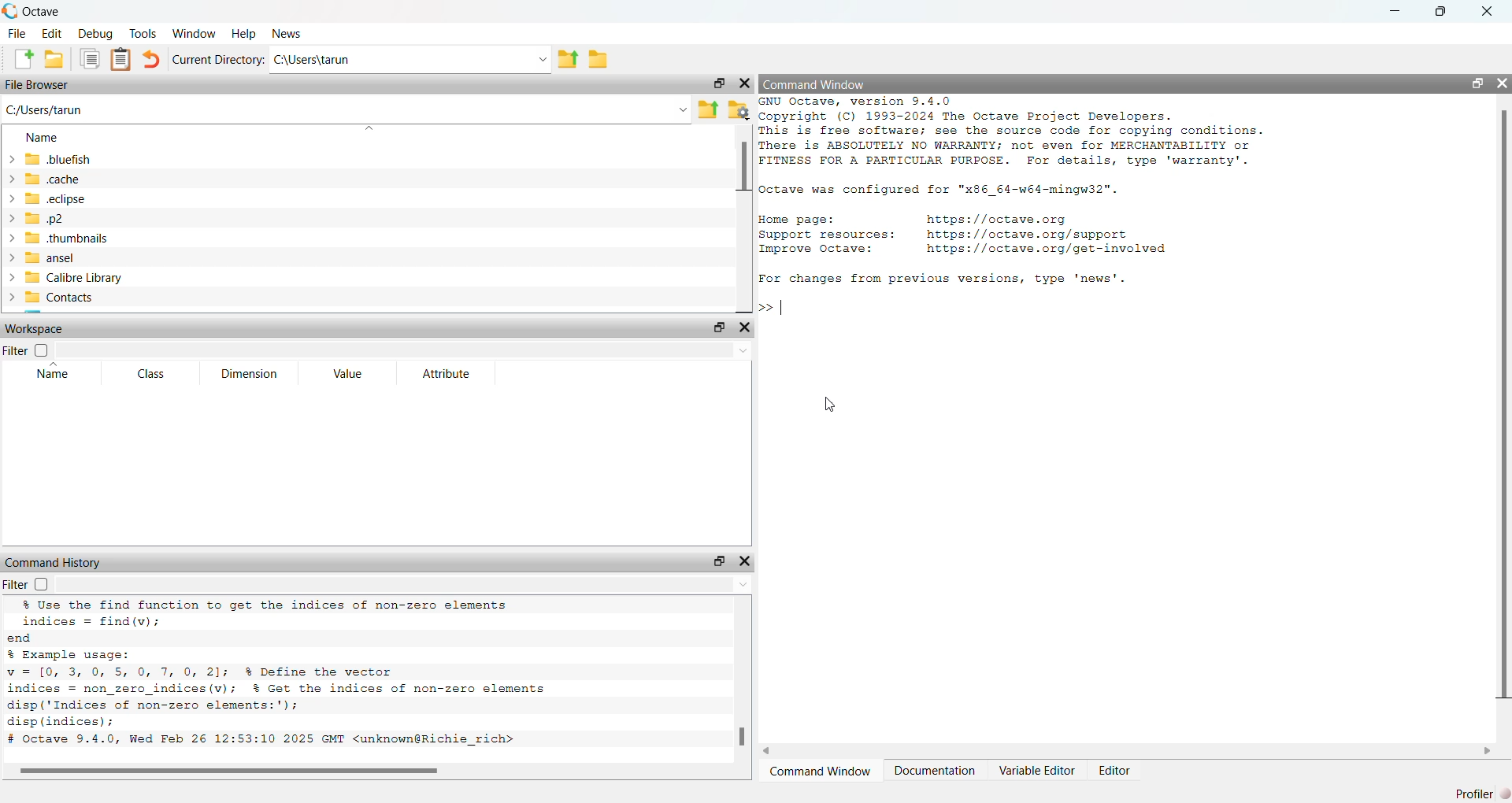 This screenshot has height=803, width=1512. Describe the element at coordinates (717, 83) in the screenshot. I see `restore down` at that location.